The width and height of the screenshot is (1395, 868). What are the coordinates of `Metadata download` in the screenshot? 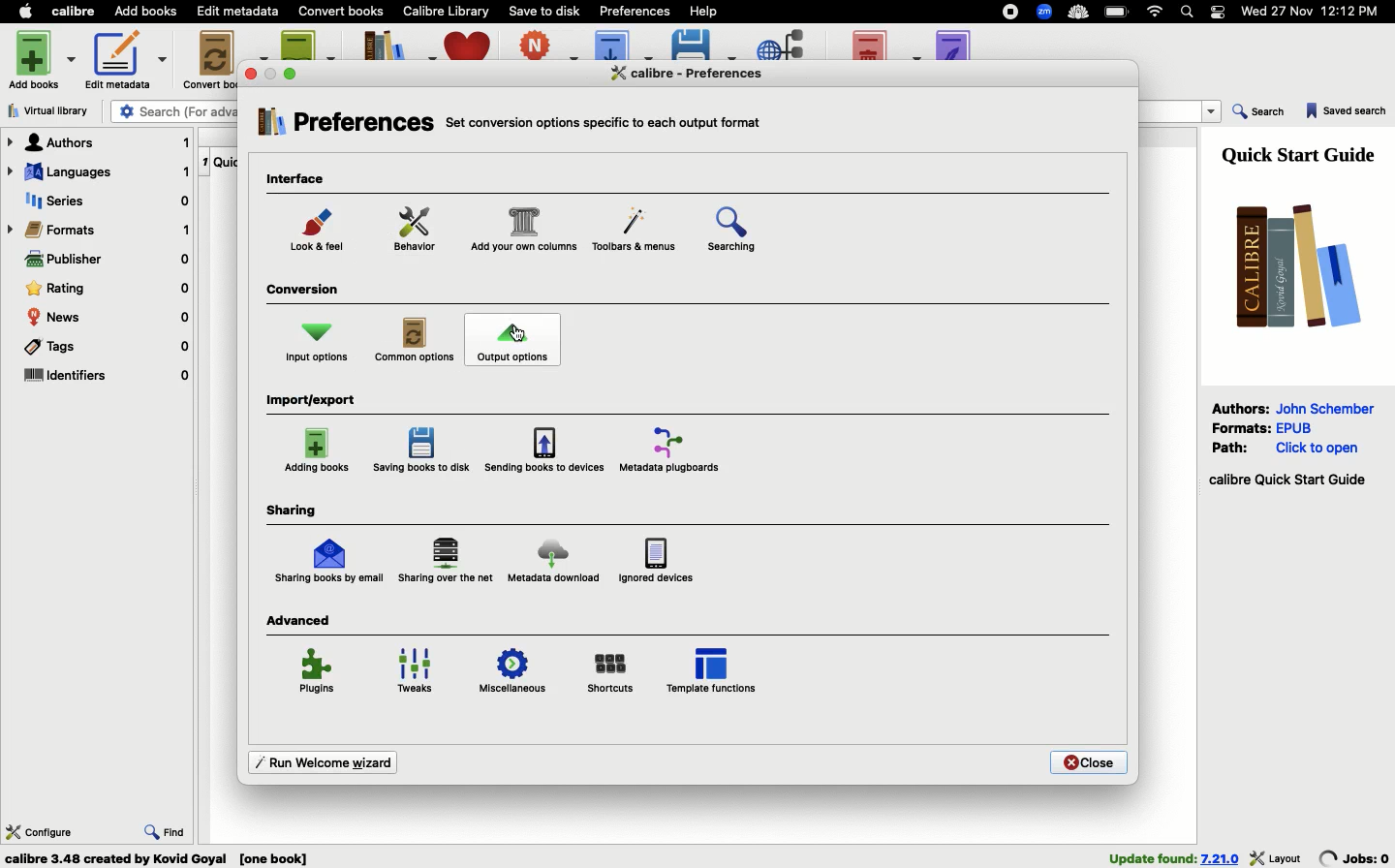 It's located at (552, 565).